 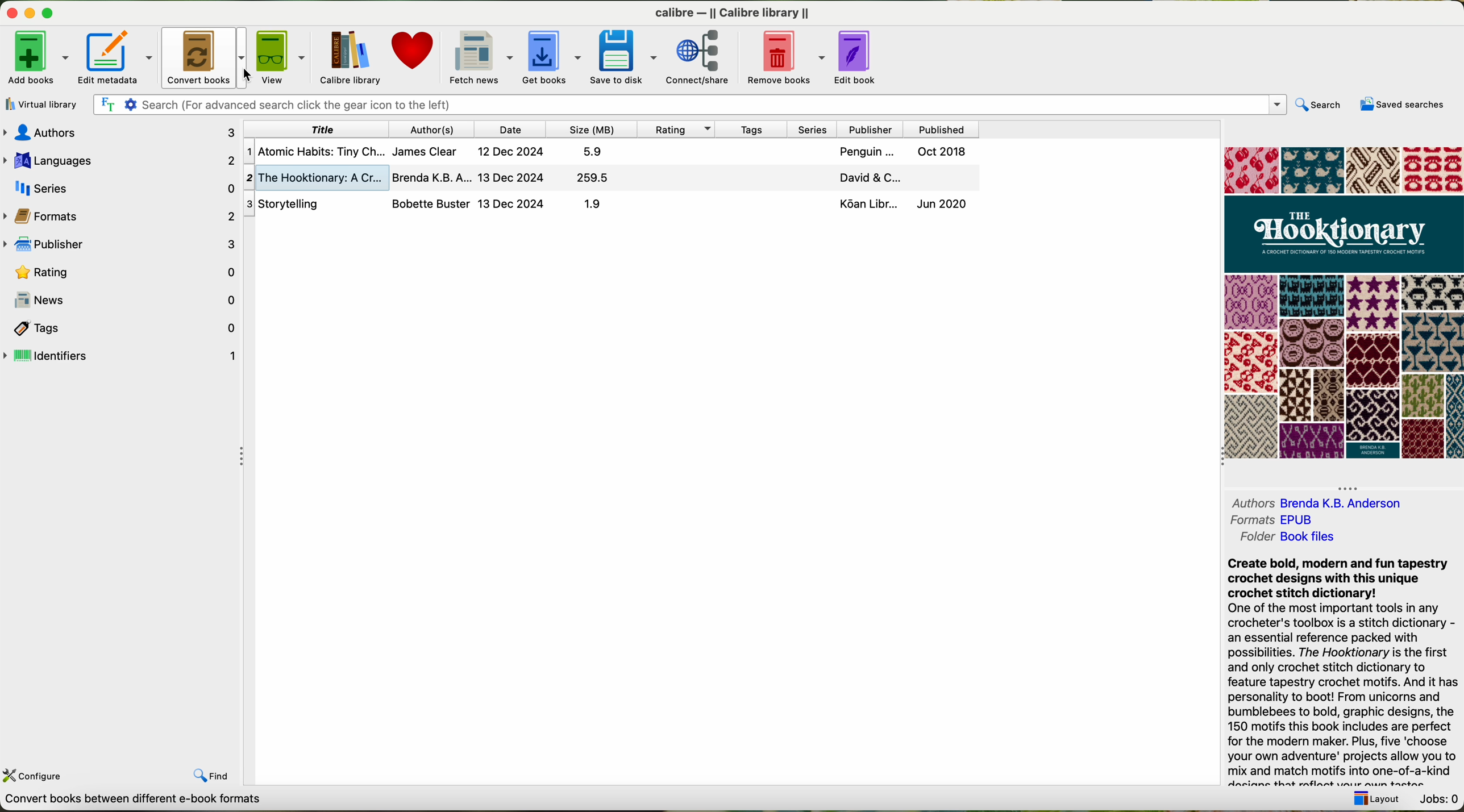 I want to click on view, so click(x=282, y=57).